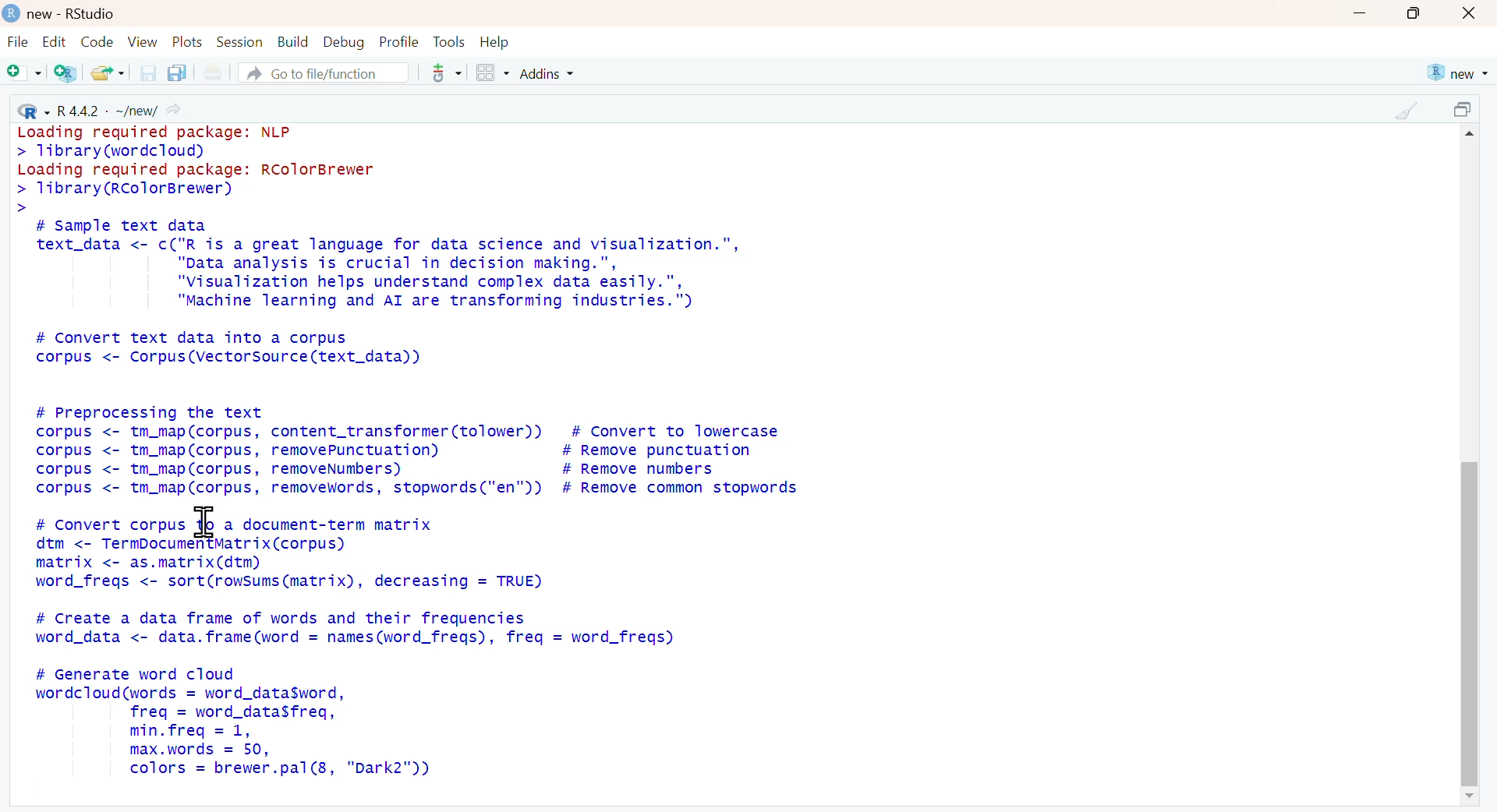  Describe the element at coordinates (419, 450) in the screenshot. I see `# Preprocessing the text

corpus <- tm_map (corpus, content_transformer (tolower)) # Convert to lowercase
corpus <- tm_map (corpus, removePunctuation) # Remove punctuation
corpus <- tm_map (corpus, removeNumbers) # Remove numbers

corpus <- tm_map(corpus, removeWords, stopwords("en")) # Remove common stopwords` at that location.